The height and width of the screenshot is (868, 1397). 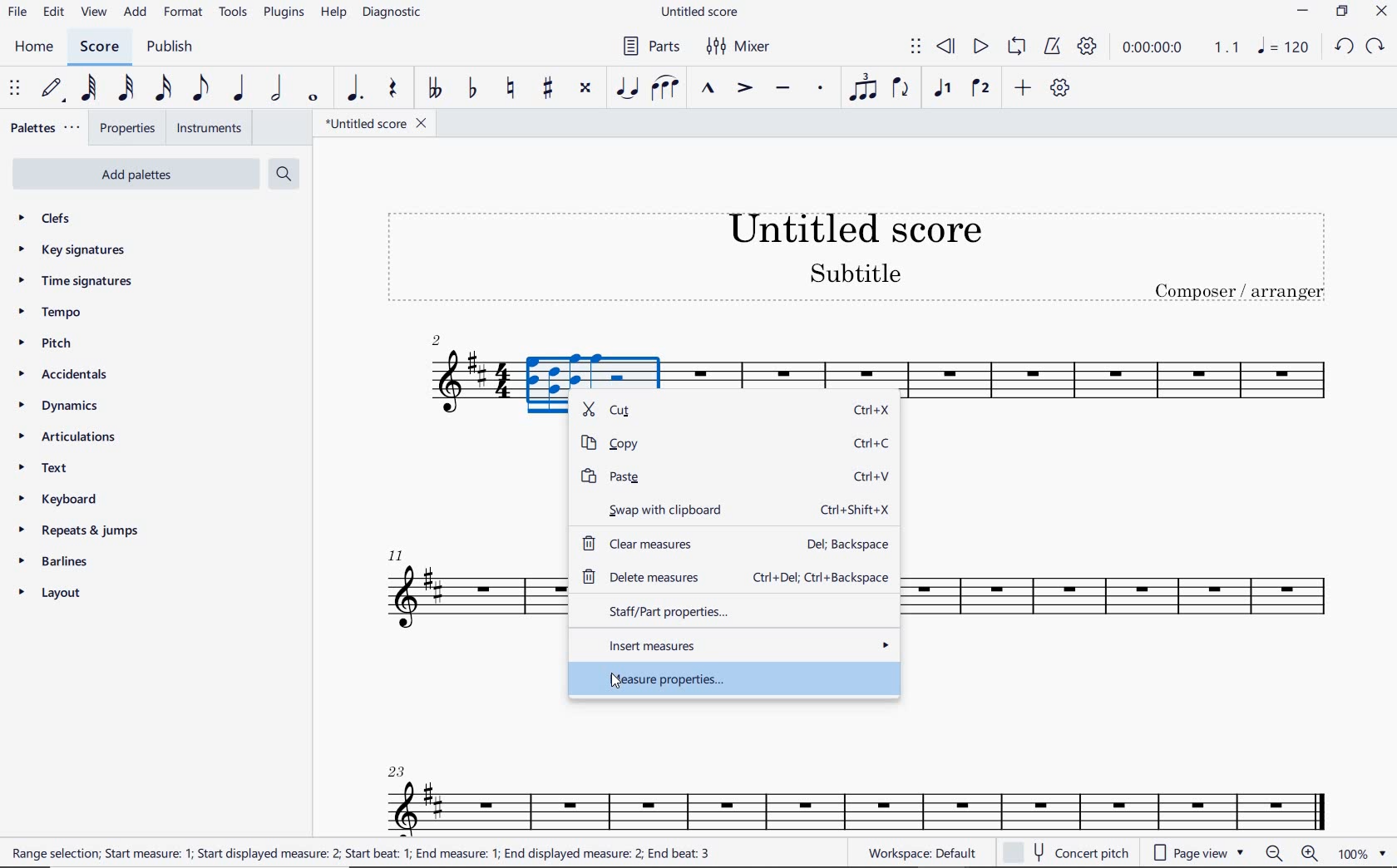 What do you see at coordinates (1020, 89) in the screenshot?
I see `ADD` at bounding box center [1020, 89].